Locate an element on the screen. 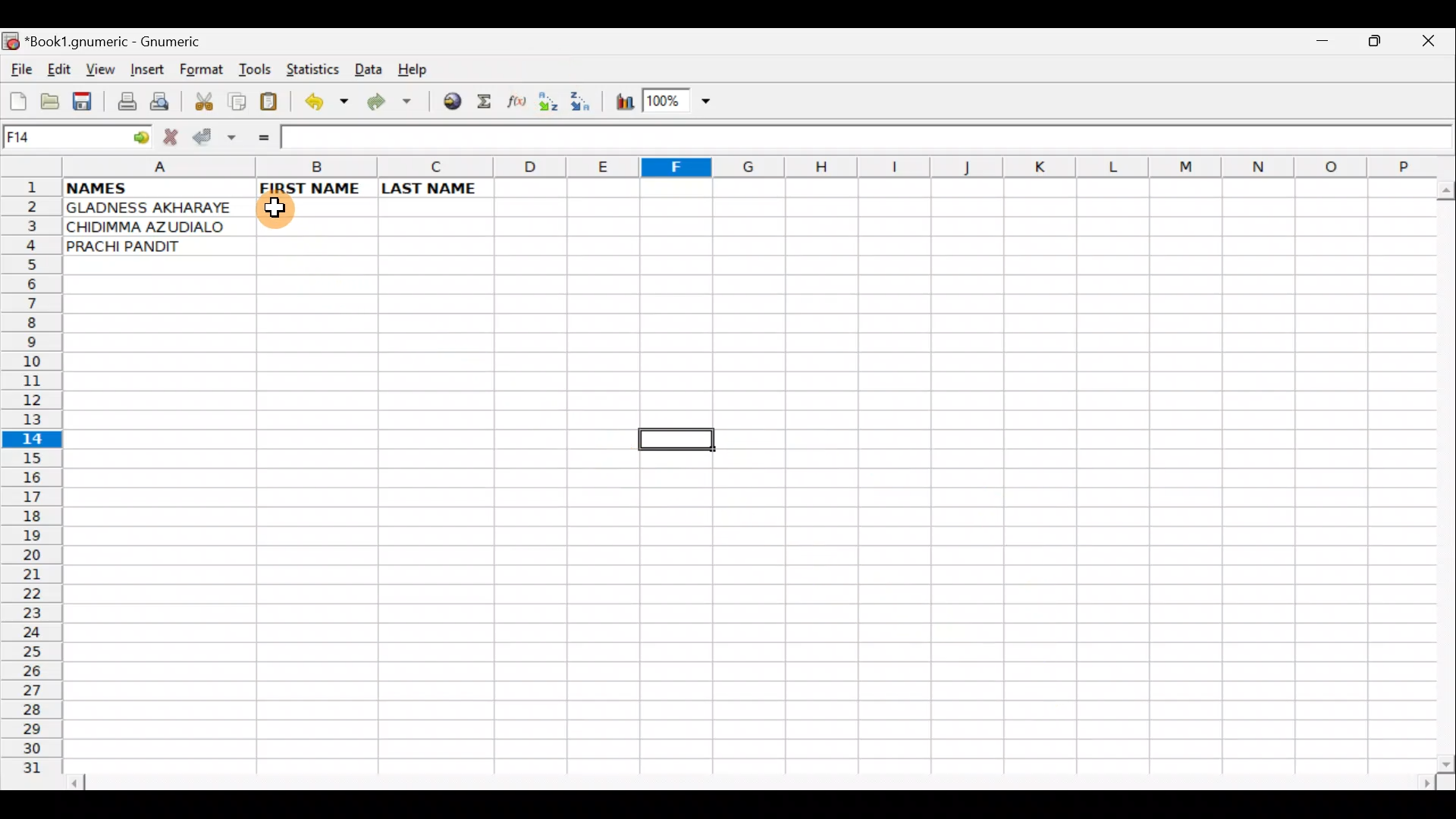 This screenshot has height=819, width=1456. Sum in the current cell is located at coordinates (489, 102).